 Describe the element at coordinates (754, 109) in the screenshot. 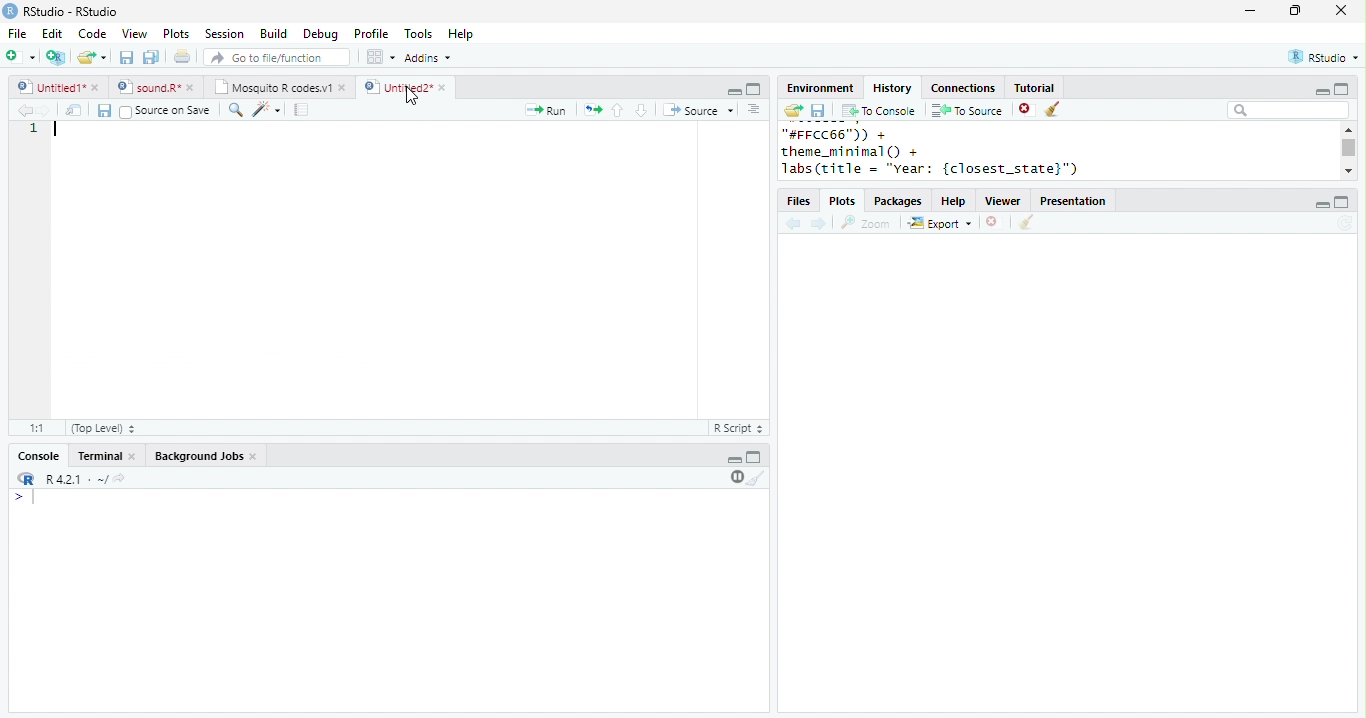

I see `options` at that location.